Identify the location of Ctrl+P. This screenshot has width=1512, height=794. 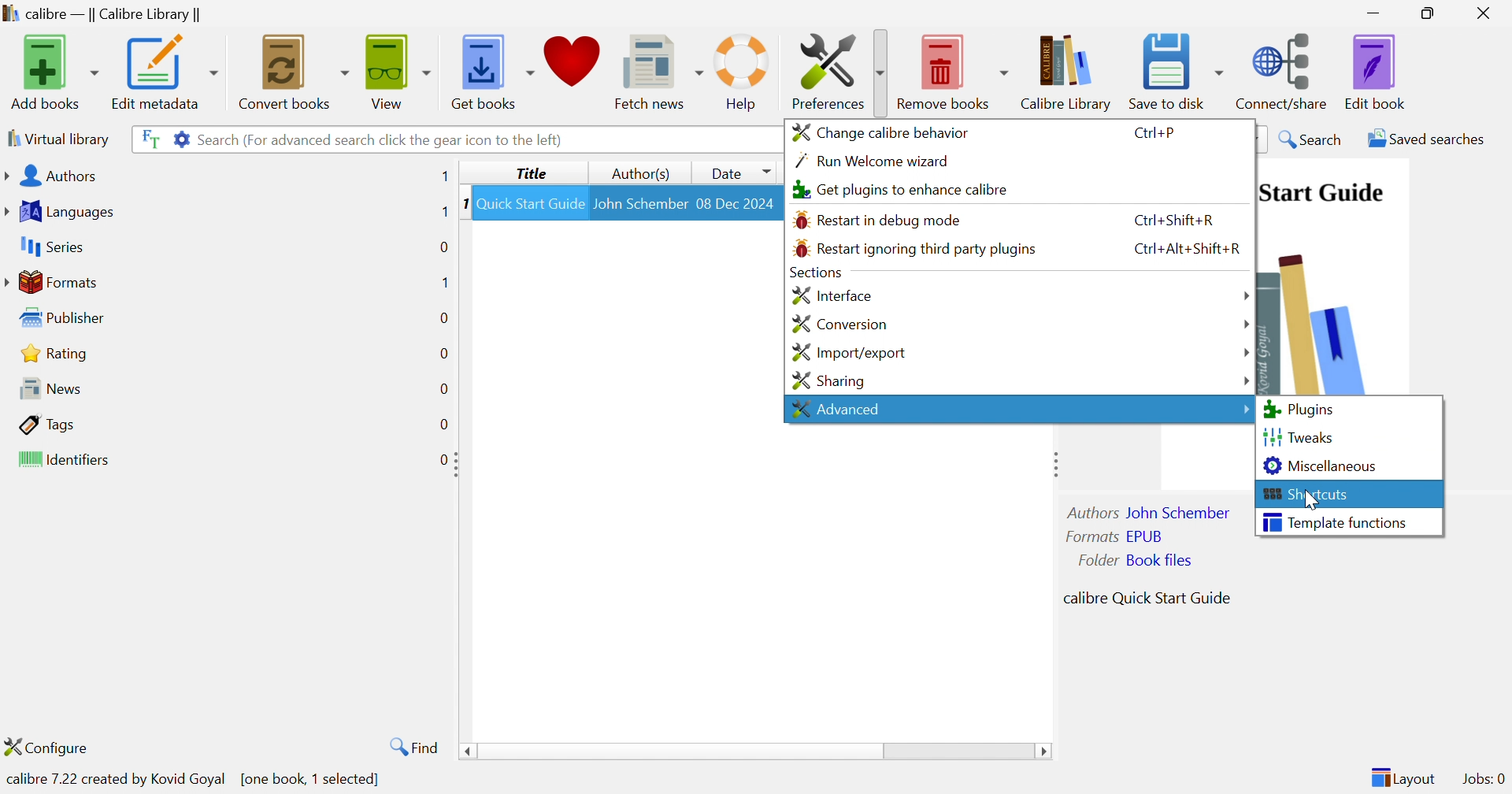
(1155, 134).